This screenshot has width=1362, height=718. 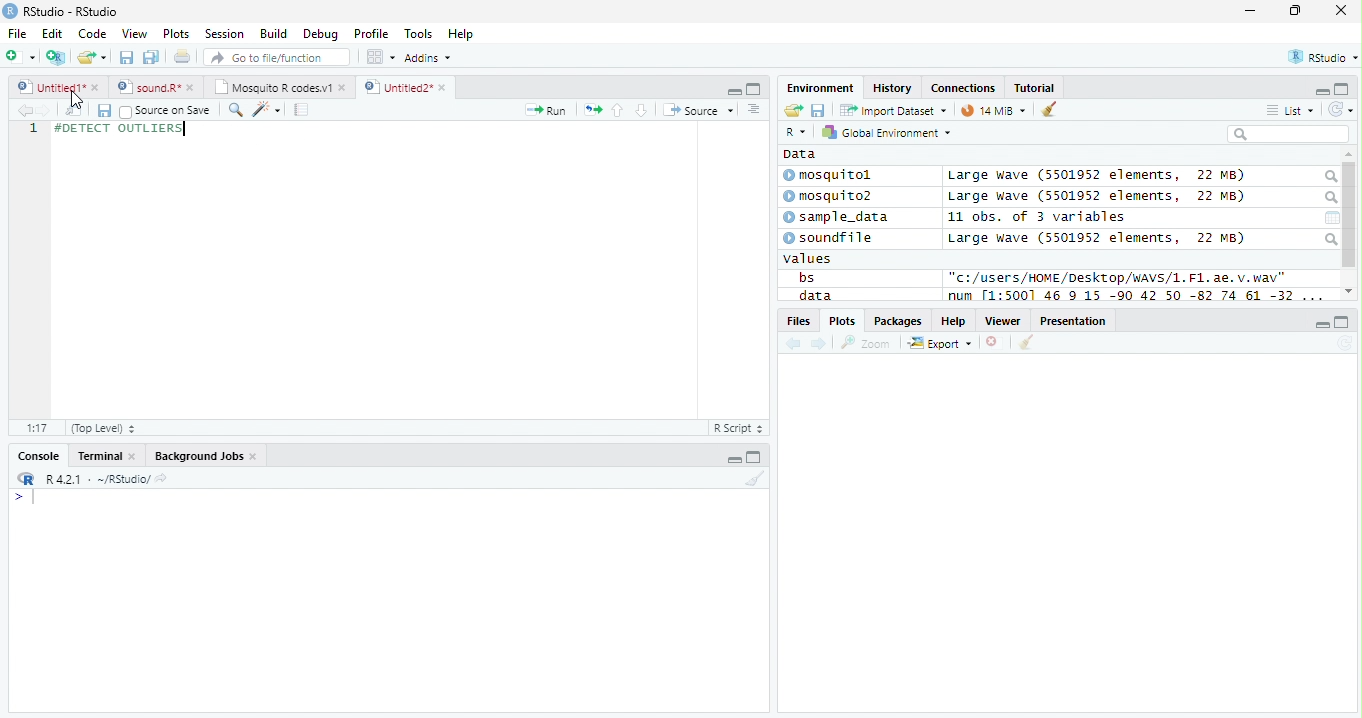 I want to click on soundfile, so click(x=829, y=238).